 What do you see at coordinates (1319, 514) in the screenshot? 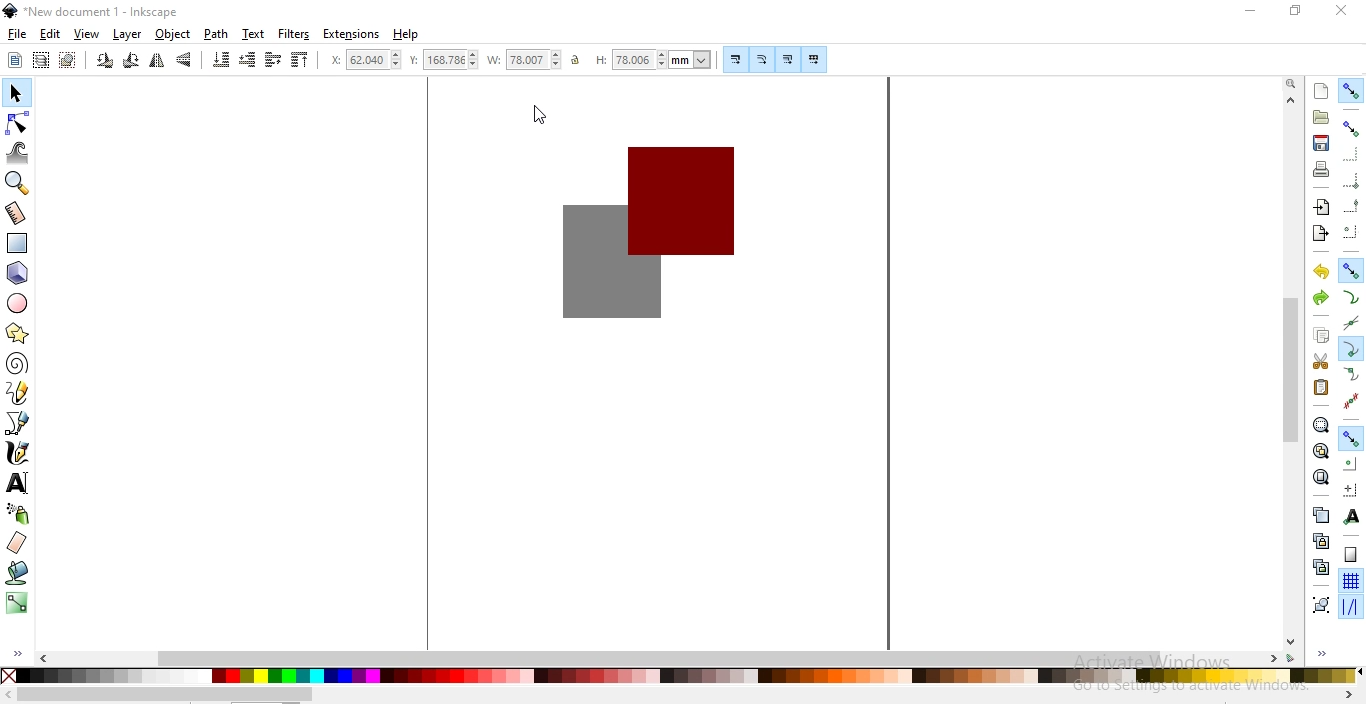
I see `create duplicate` at bounding box center [1319, 514].